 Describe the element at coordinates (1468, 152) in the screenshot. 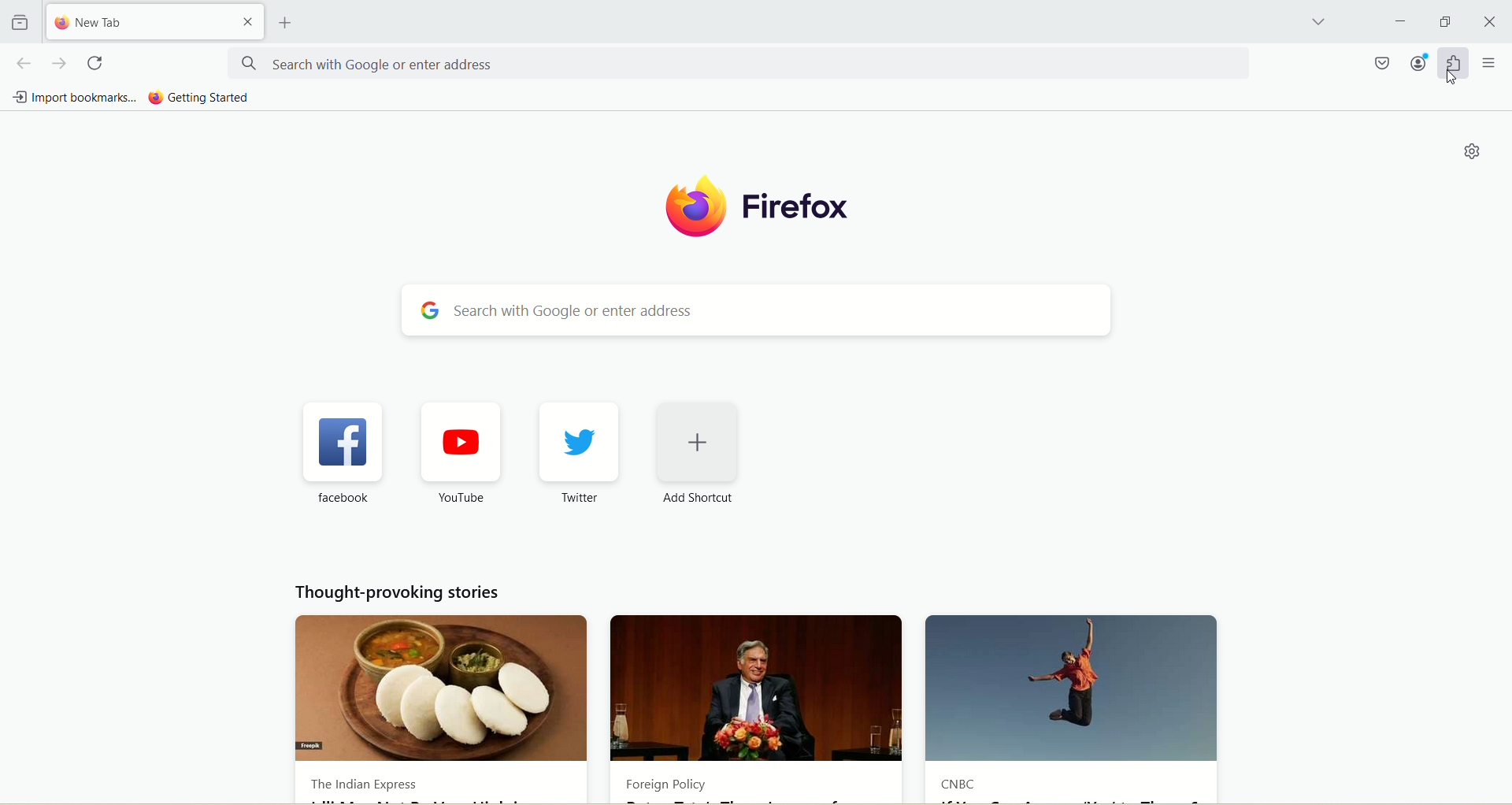

I see `Settings` at that location.